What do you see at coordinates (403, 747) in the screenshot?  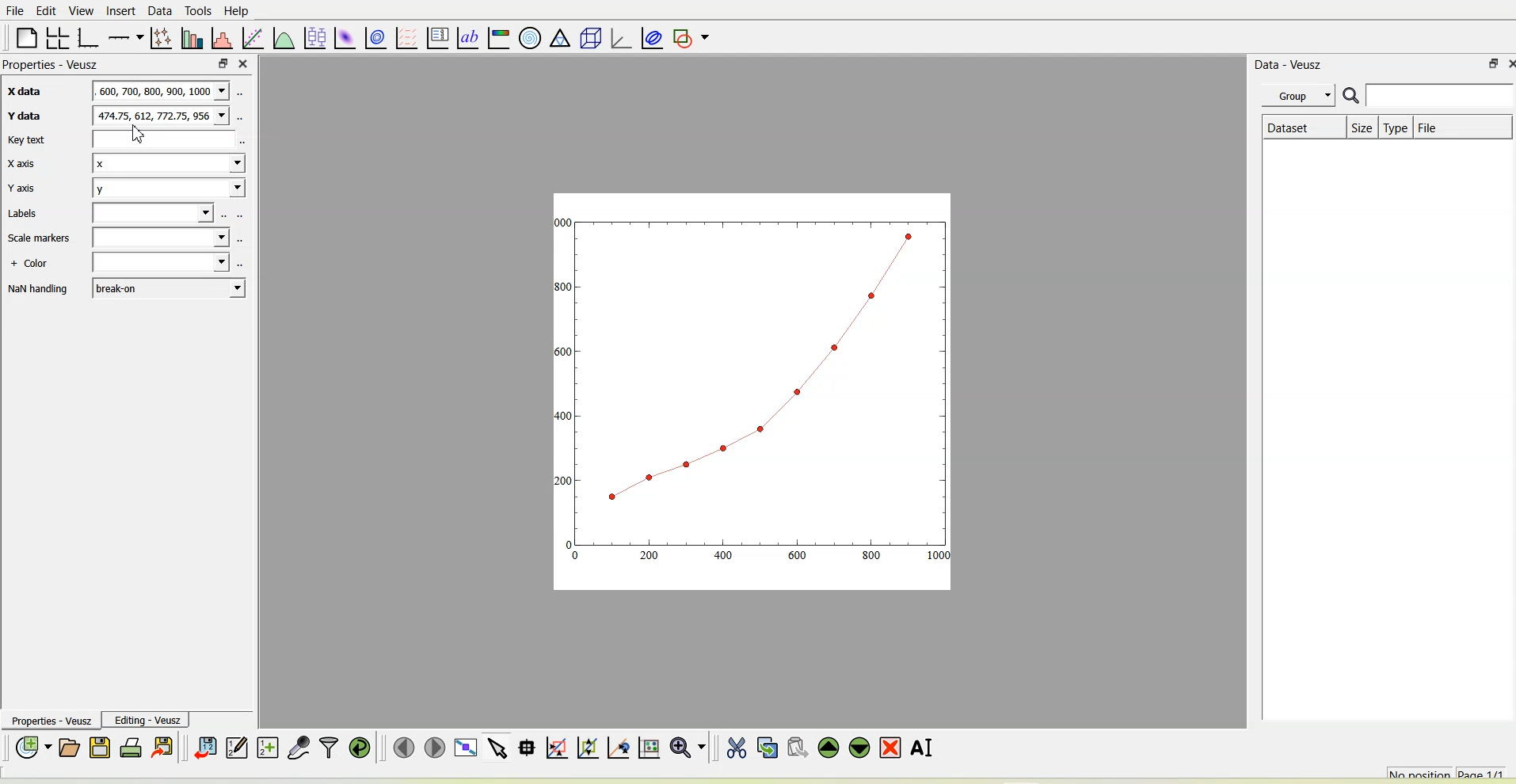 I see `Move to the previous page` at bounding box center [403, 747].